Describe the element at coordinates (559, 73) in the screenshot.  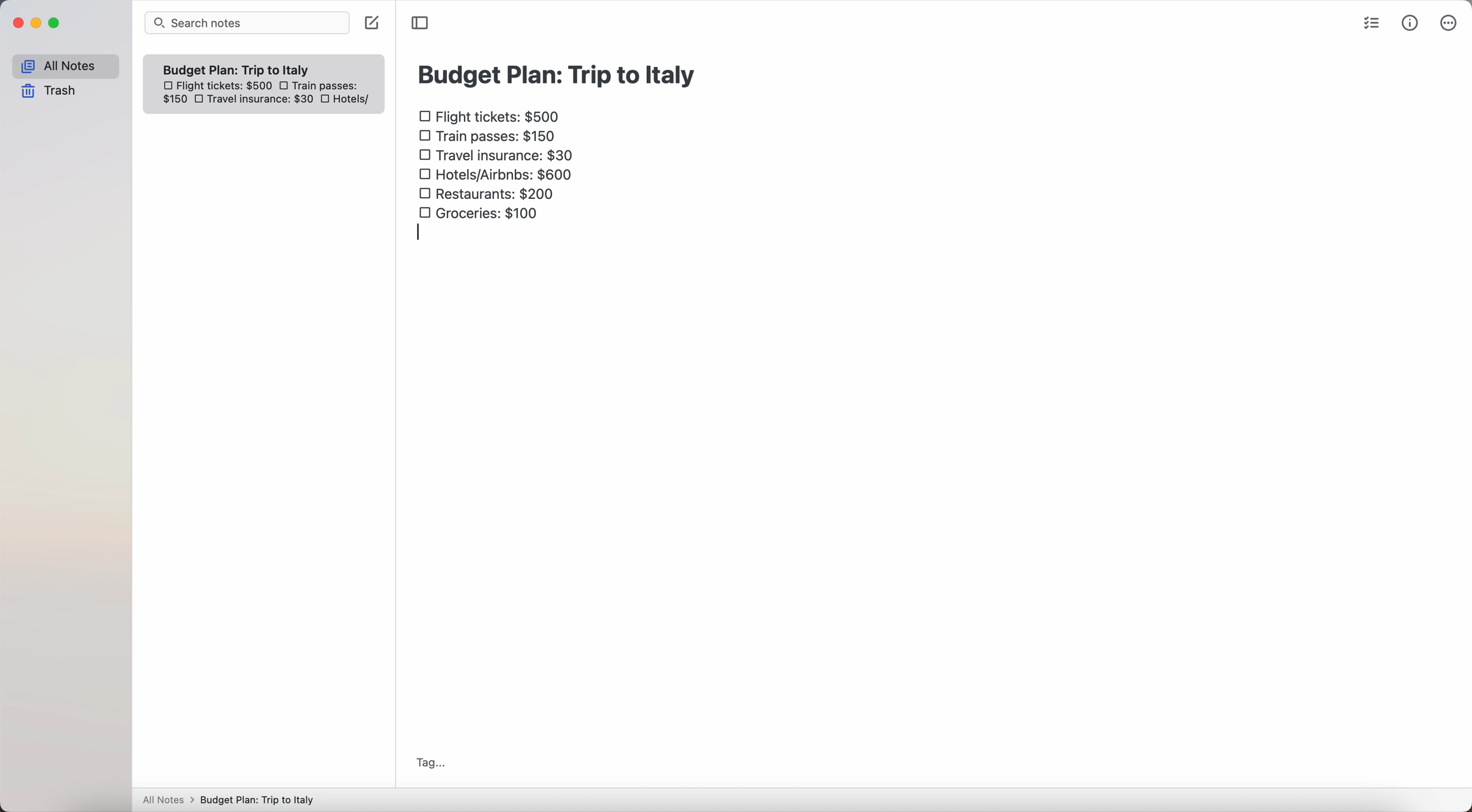
I see `budget plan: trip to Italy` at that location.